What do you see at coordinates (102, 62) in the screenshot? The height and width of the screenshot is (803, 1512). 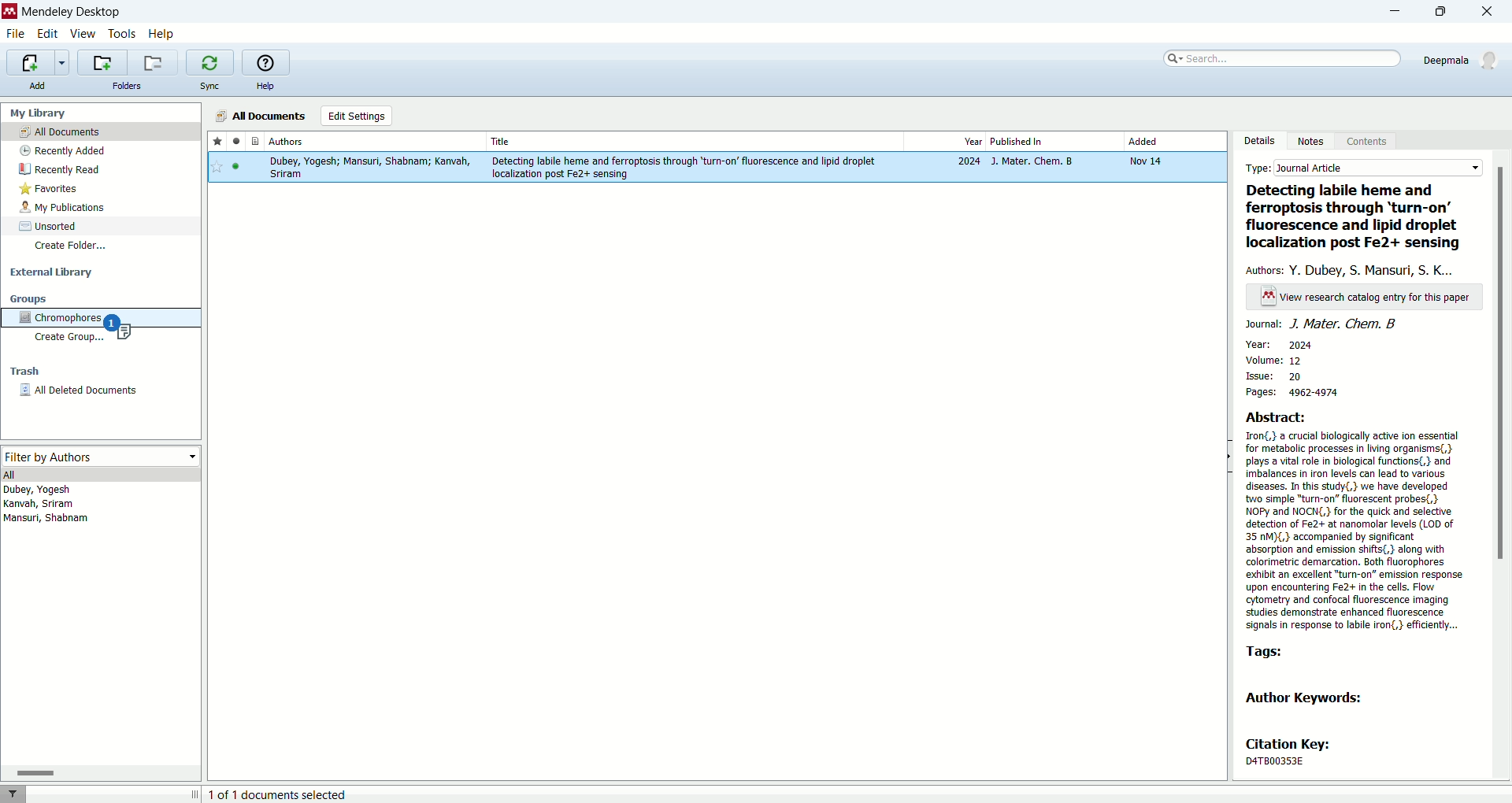 I see `add a new folder` at bounding box center [102, 62].